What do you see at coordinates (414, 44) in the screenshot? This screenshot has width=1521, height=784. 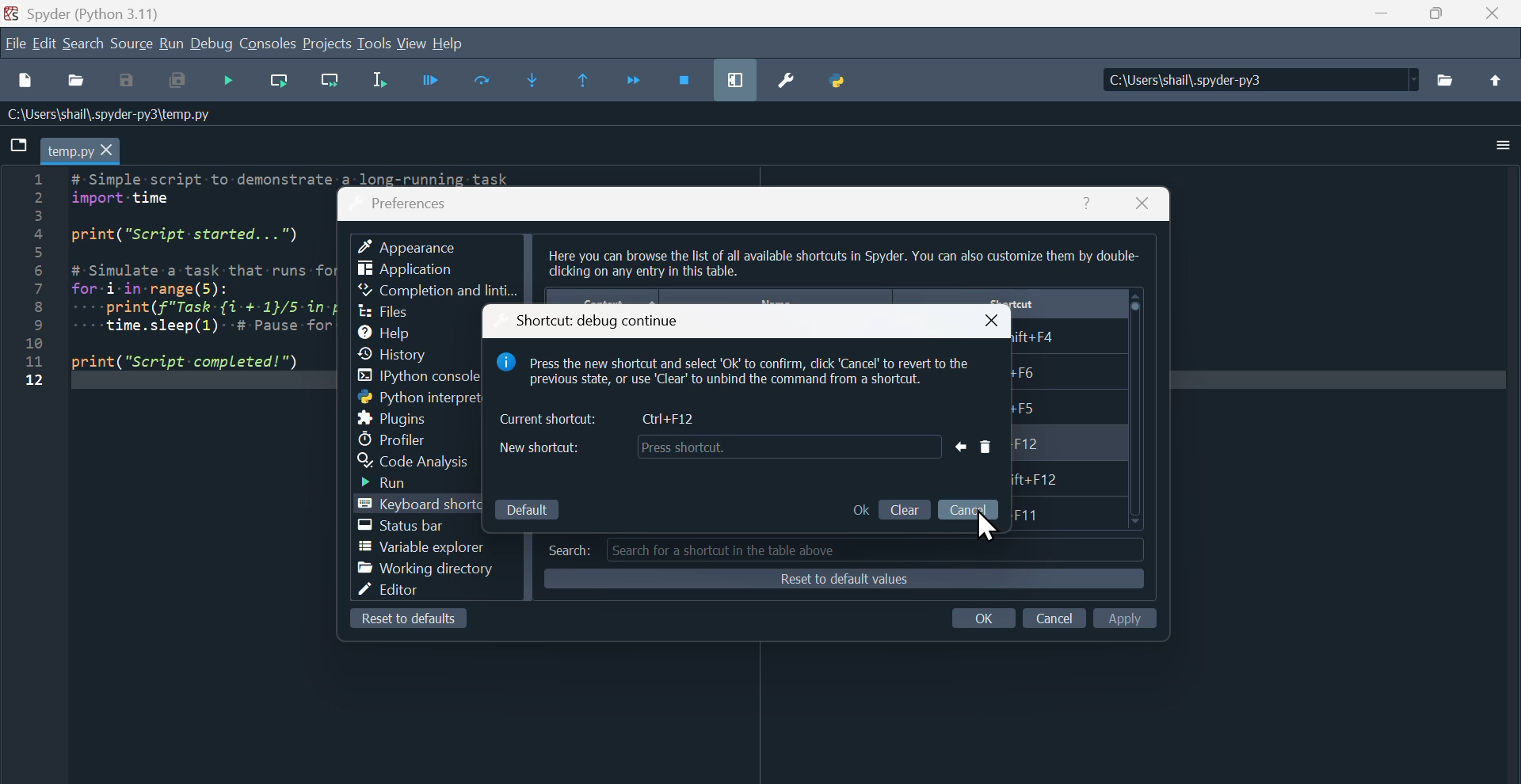 I see `View` at bounding box center [414, 44].